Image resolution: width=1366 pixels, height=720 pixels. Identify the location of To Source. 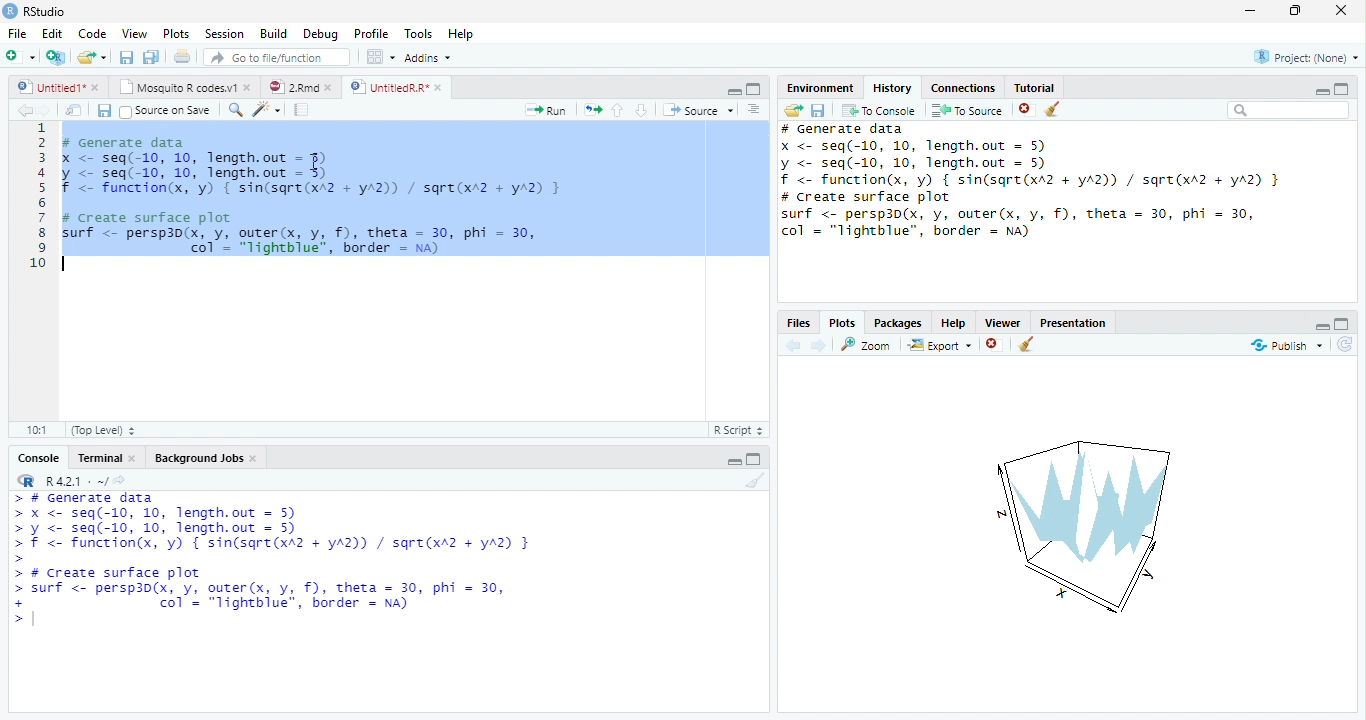
(966, 110).